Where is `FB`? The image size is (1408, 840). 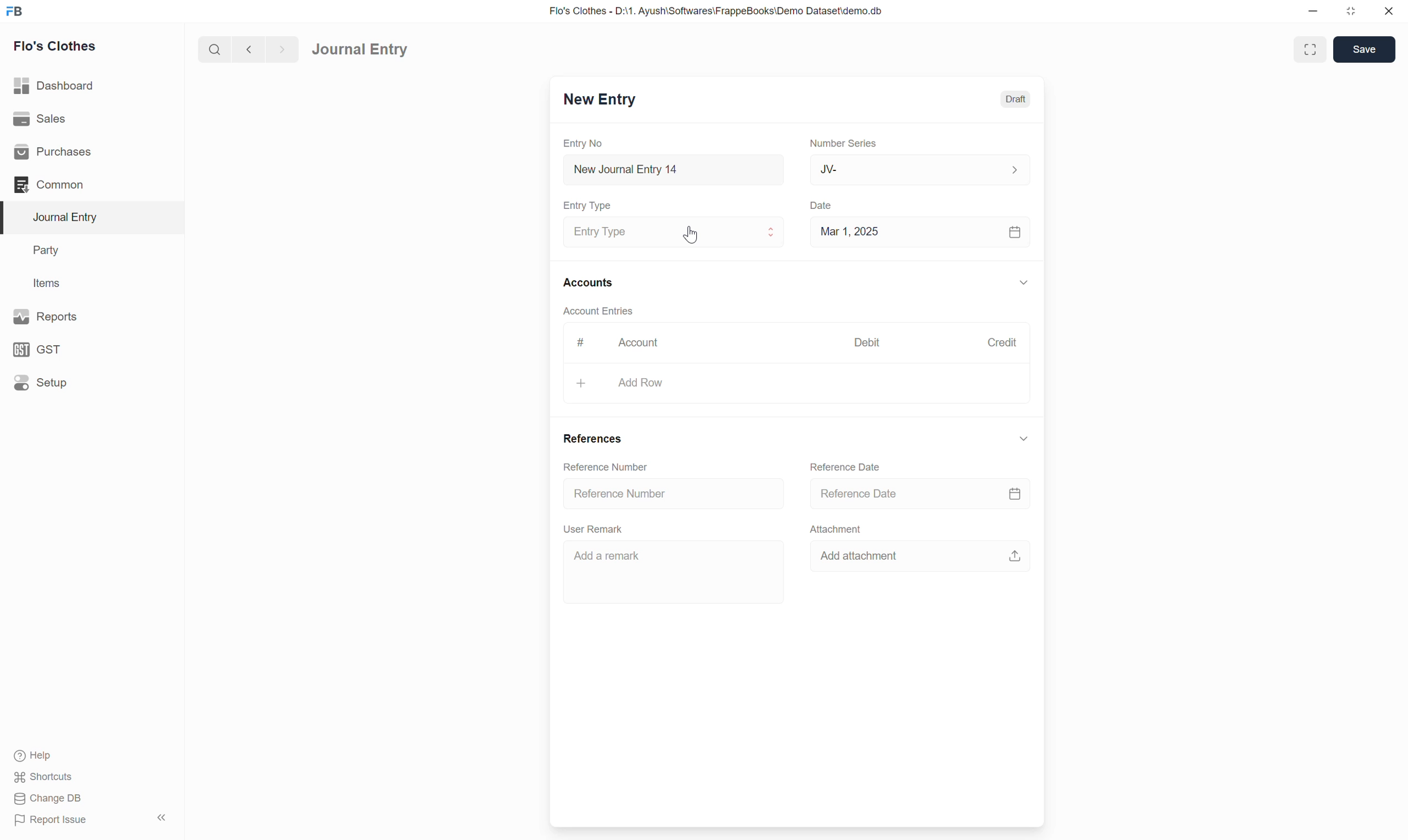 FB is located at coordinates (15, 11).